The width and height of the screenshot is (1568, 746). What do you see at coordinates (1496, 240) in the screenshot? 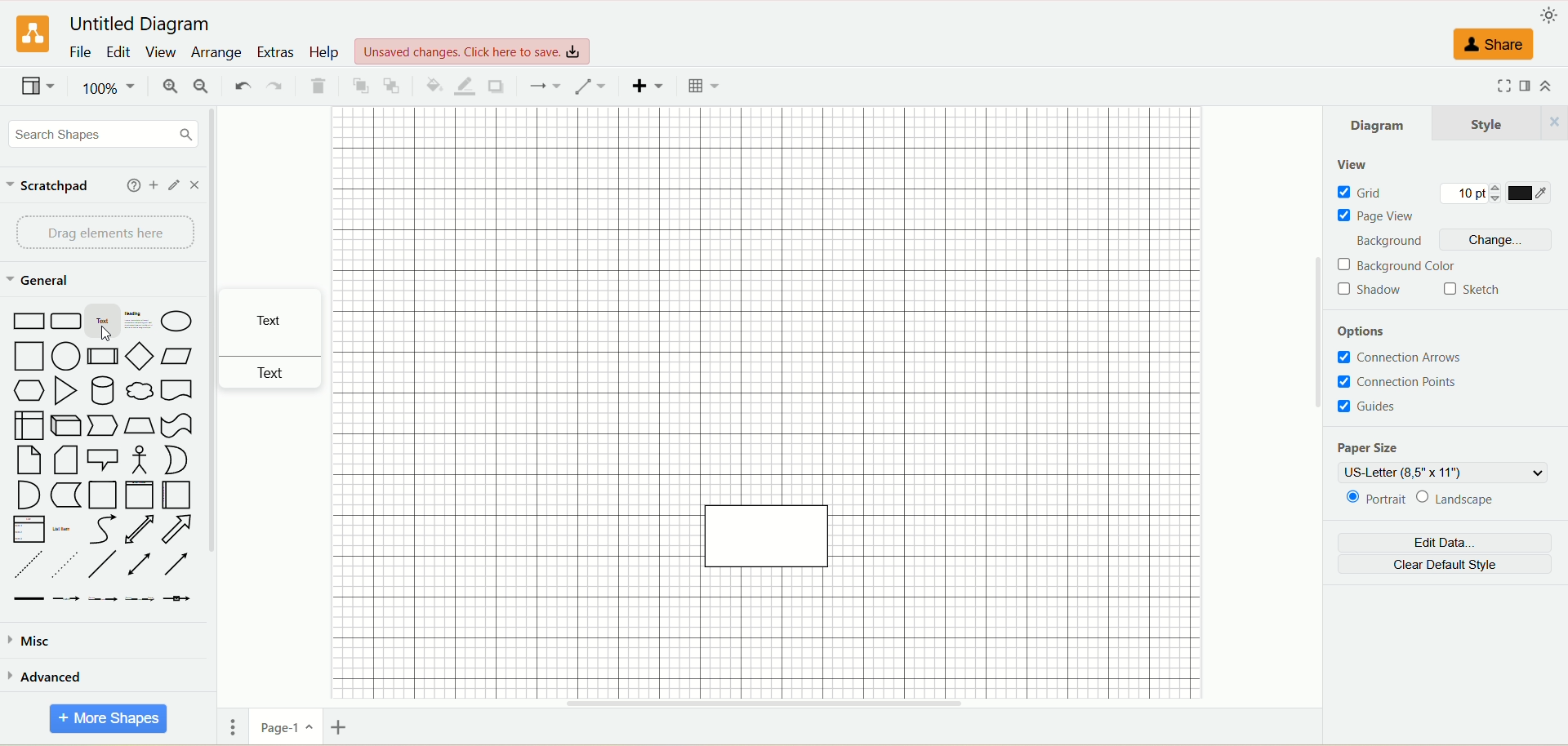
I see `change` at bounding box center [1496, 240].